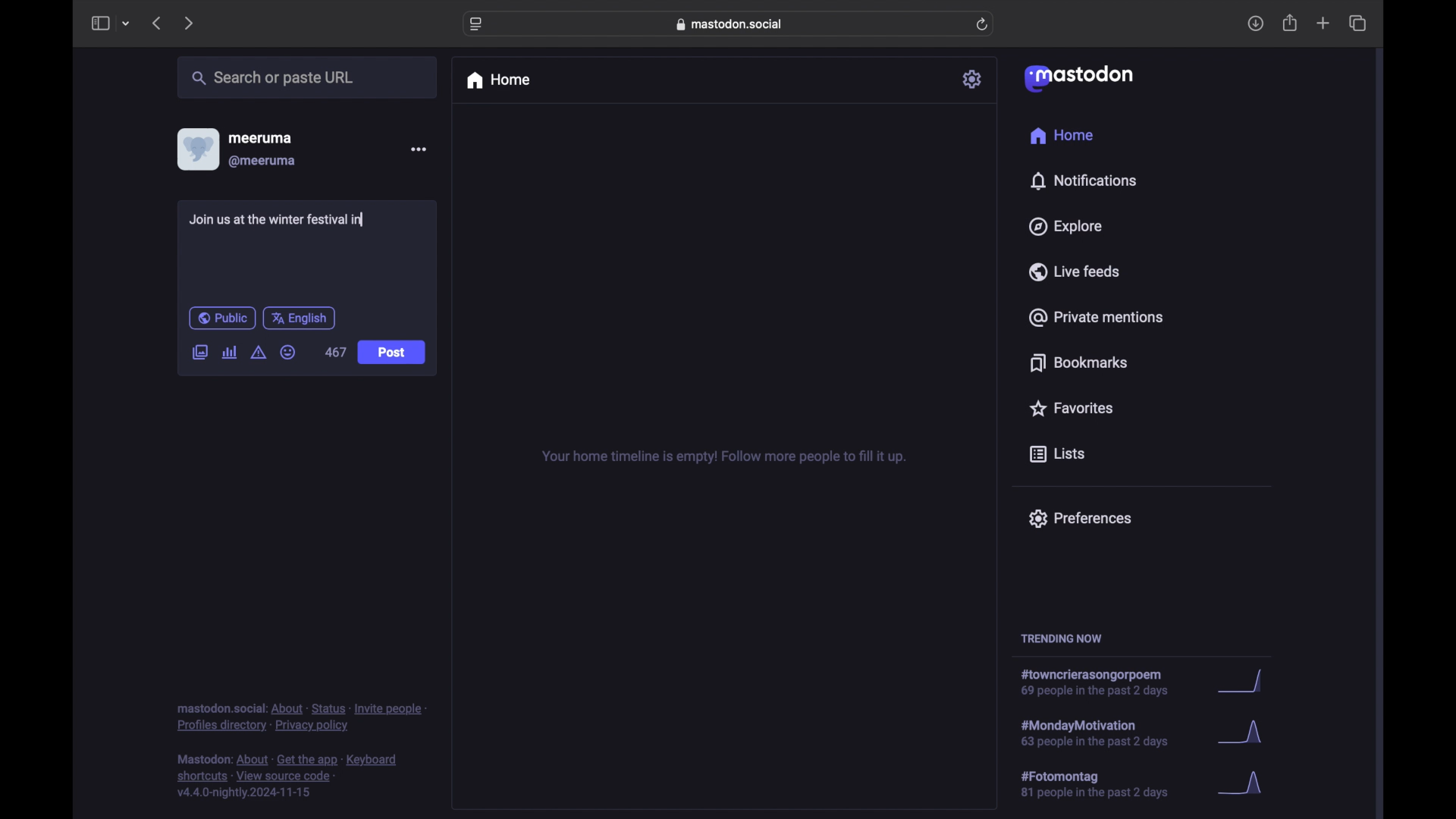 This screenshot has width=1456, height=819. I want to click on meeruma, so click(260, 137).